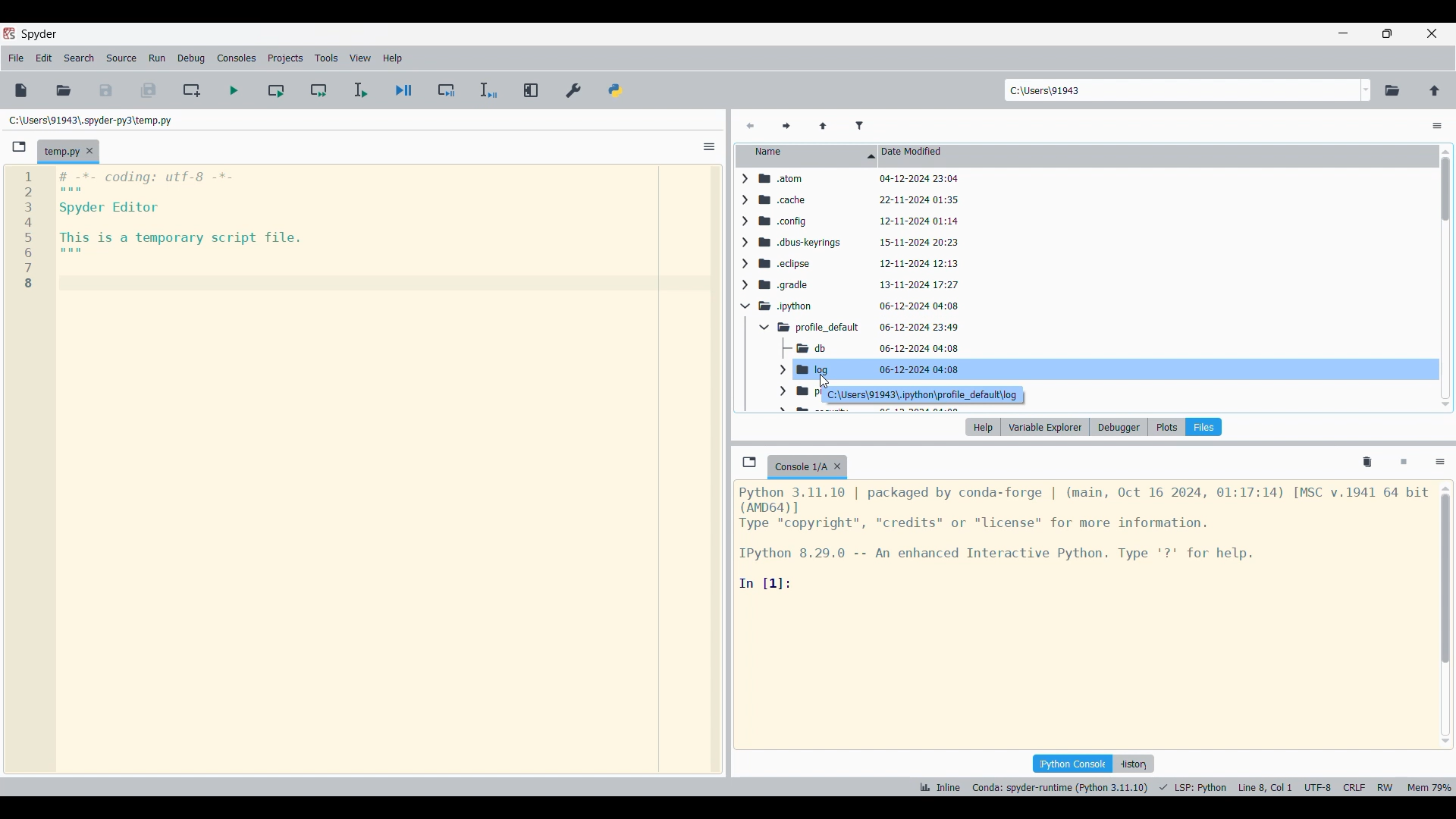 The width and height of the screenshot is (1456, 819). Describe the element at coordinates (574, 91) in the screenshot. I see `Preferences` at that location.